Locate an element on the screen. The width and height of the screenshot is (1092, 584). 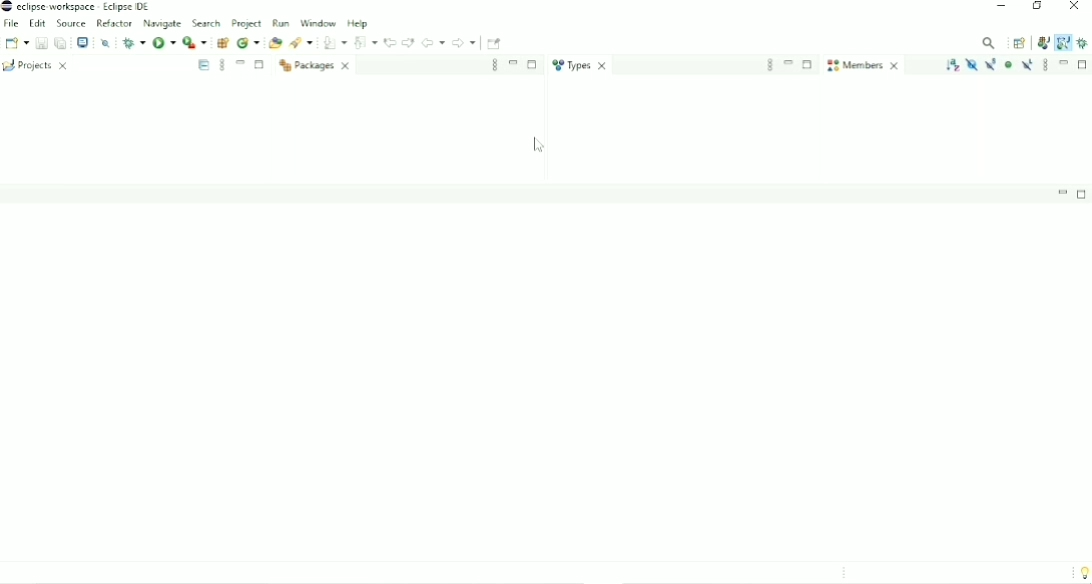
previous Annotation is located at coordinates (366, 42).